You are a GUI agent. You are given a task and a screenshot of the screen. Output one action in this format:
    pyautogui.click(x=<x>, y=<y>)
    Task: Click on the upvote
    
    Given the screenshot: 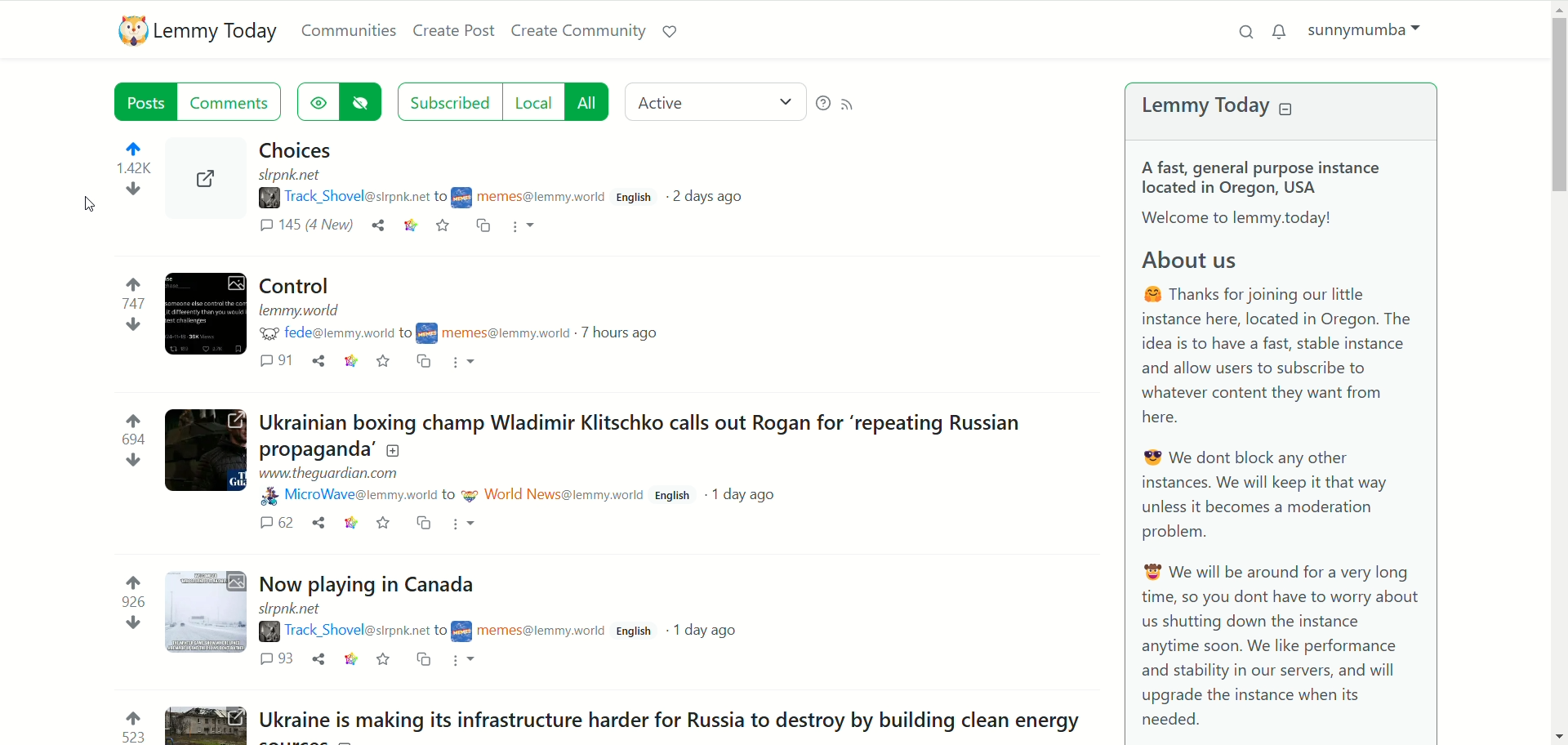 What is the action you would take?
    pyautogui.click(x=137, y=285)
    